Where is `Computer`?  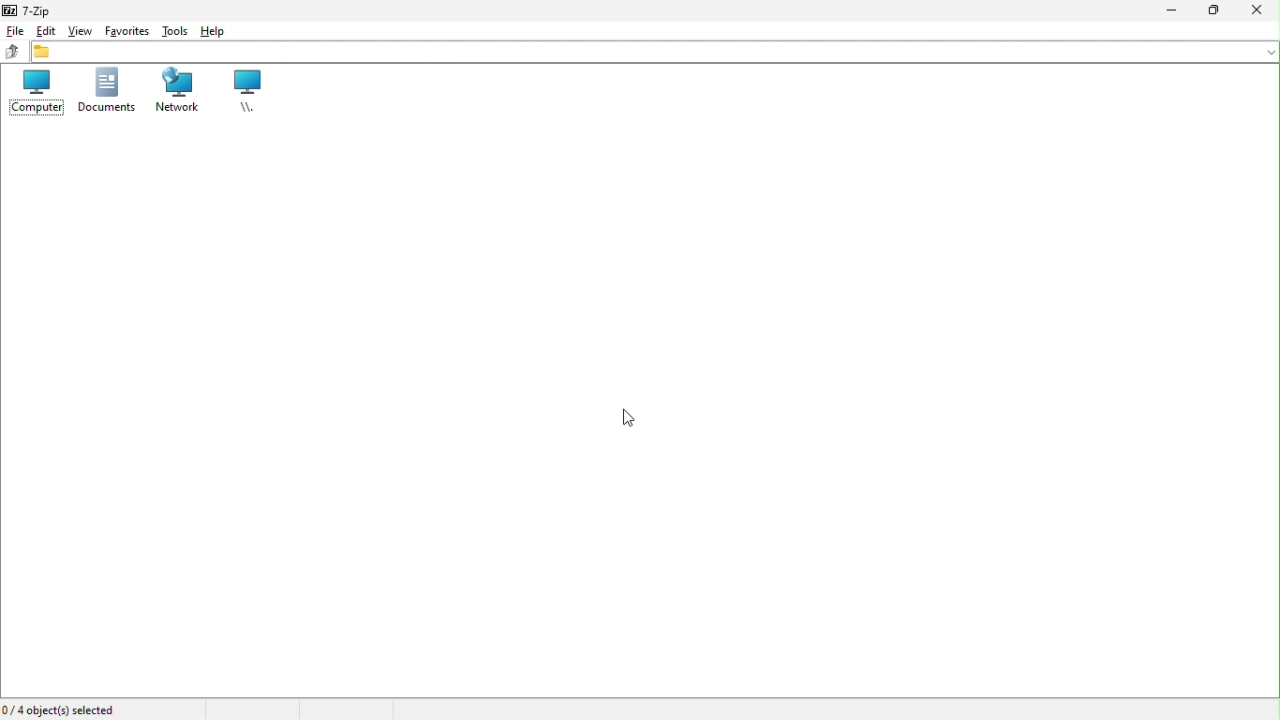 Computer is located at coordinates (32, 91).